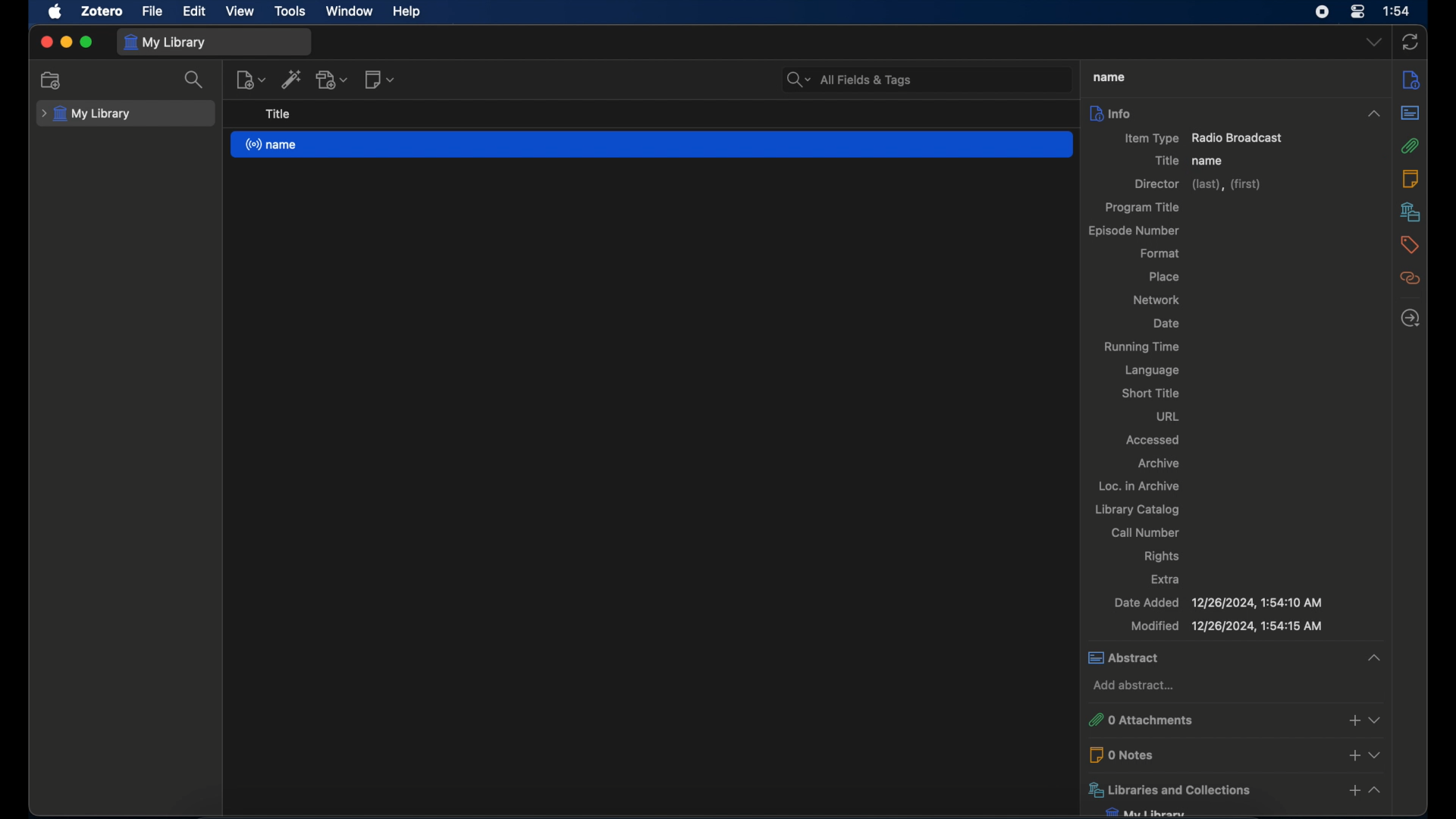  Describe the element at coordinates (1398, 12) in the screenshot. I see `1:54` at that location.